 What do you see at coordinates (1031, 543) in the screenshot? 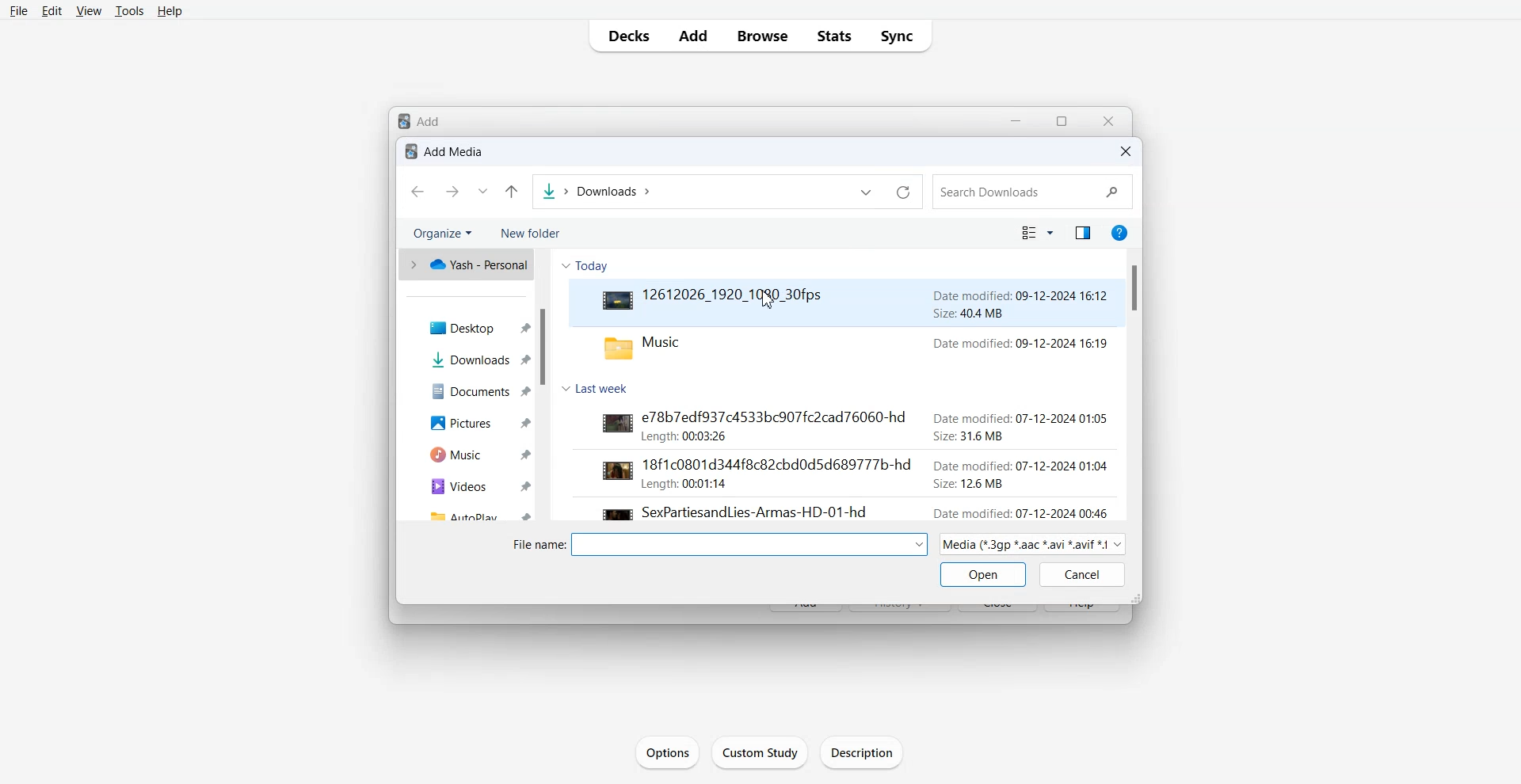
I see `Media Mode` at bounding box center [1031, 543].